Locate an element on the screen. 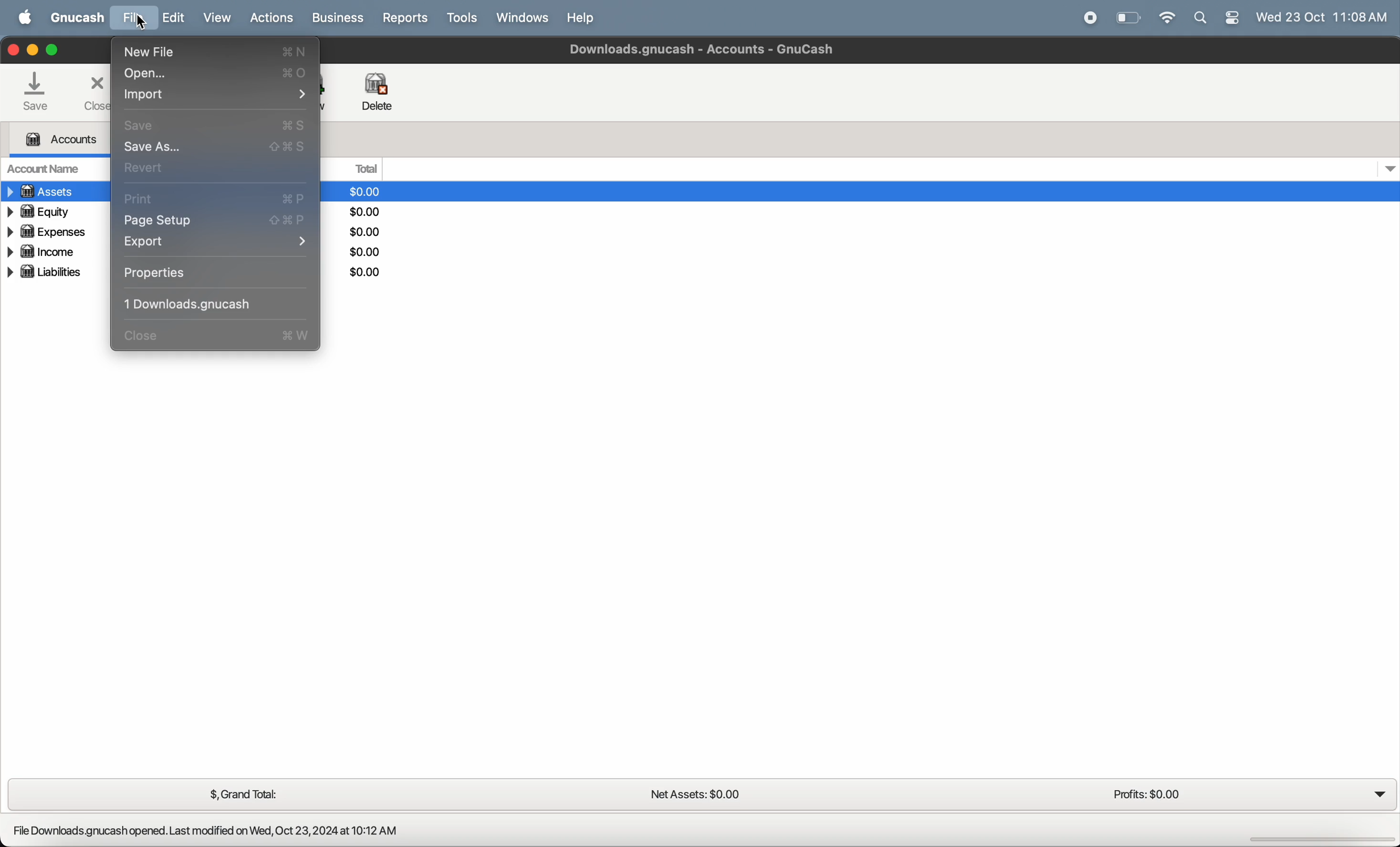  reports is located at coordinates (405, 17).